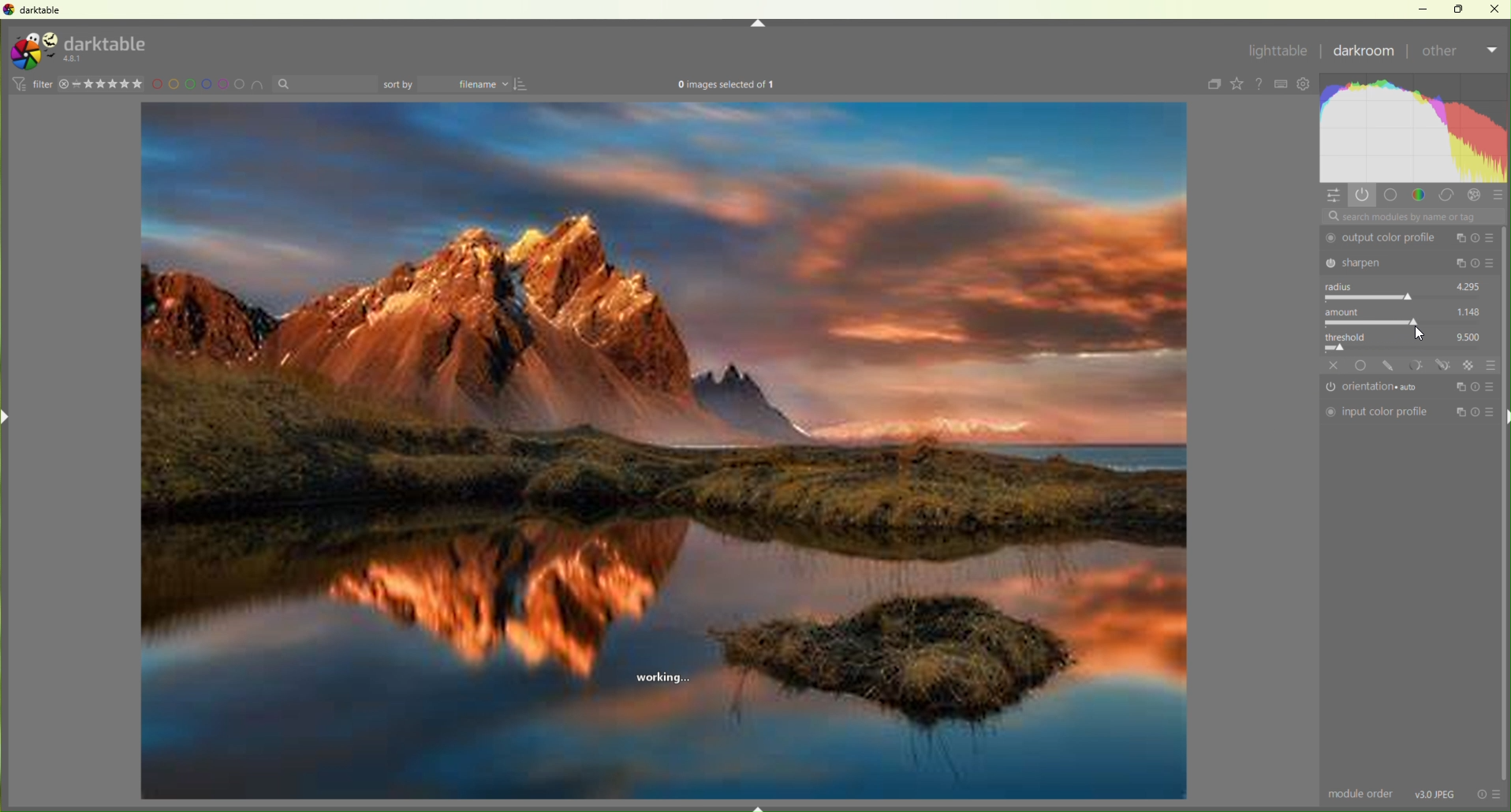 The image size is (1511, 812). I want to click on sort, so click(524, 84).